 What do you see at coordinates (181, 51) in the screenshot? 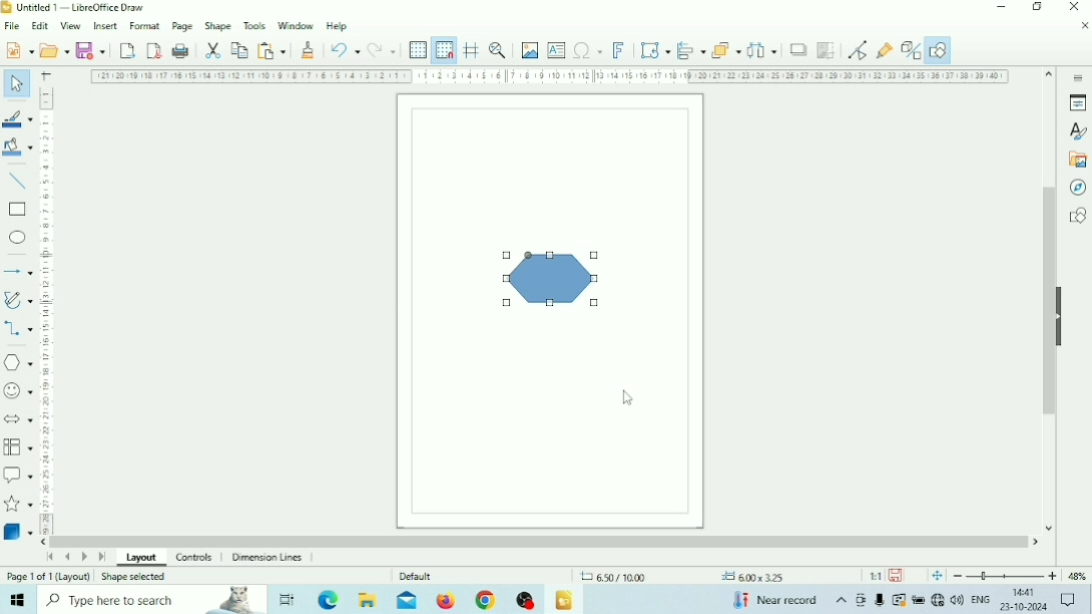
I see `Print` at bounding box center [181, 51].